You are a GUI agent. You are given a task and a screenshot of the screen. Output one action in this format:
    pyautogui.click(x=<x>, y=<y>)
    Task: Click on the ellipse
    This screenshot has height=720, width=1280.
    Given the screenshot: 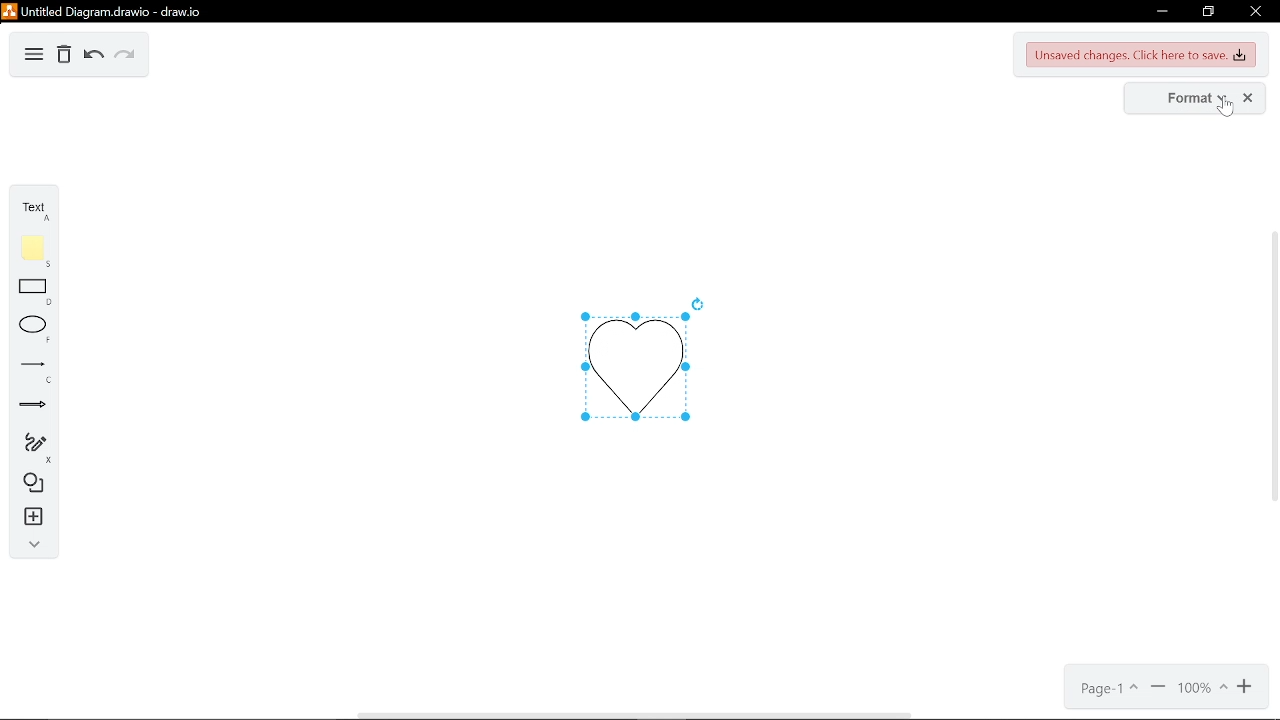 What is the action you would take?
    pyautogui.click(x=34, y=329)
    